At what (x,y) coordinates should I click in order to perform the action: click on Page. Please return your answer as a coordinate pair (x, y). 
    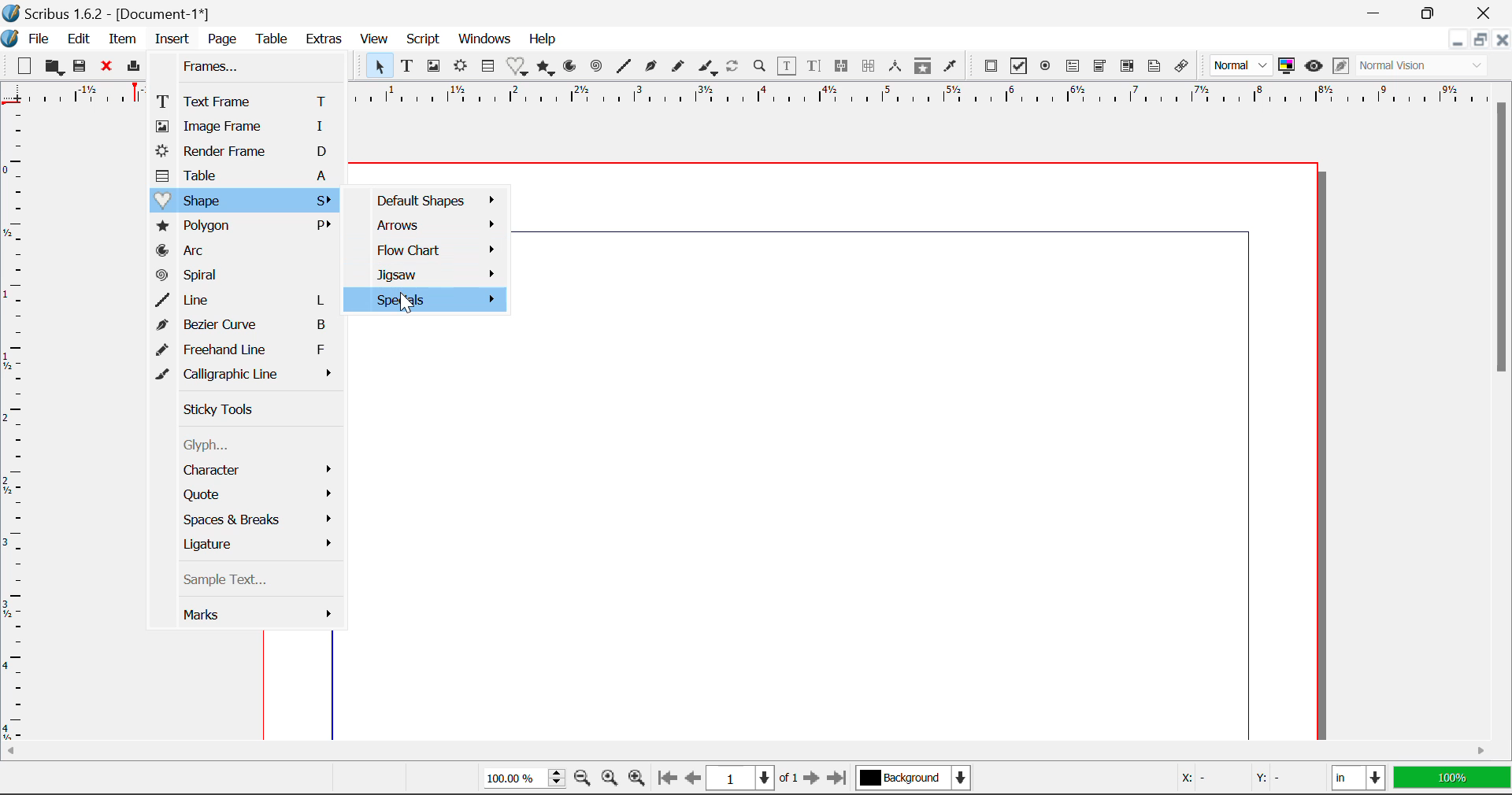
    Looking at the image, I should click on (224, 39).